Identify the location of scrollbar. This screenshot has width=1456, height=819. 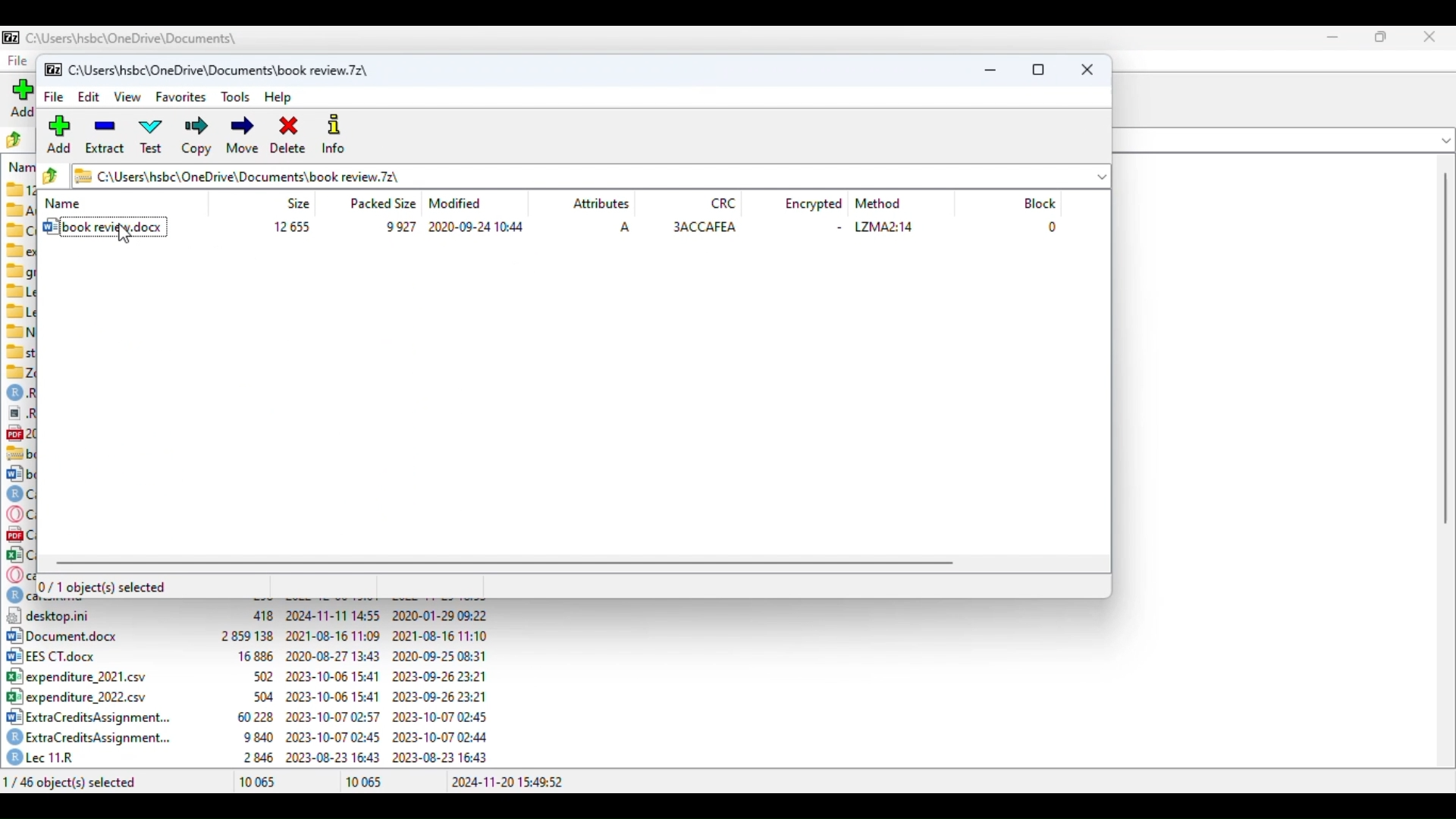
(1448, 347).